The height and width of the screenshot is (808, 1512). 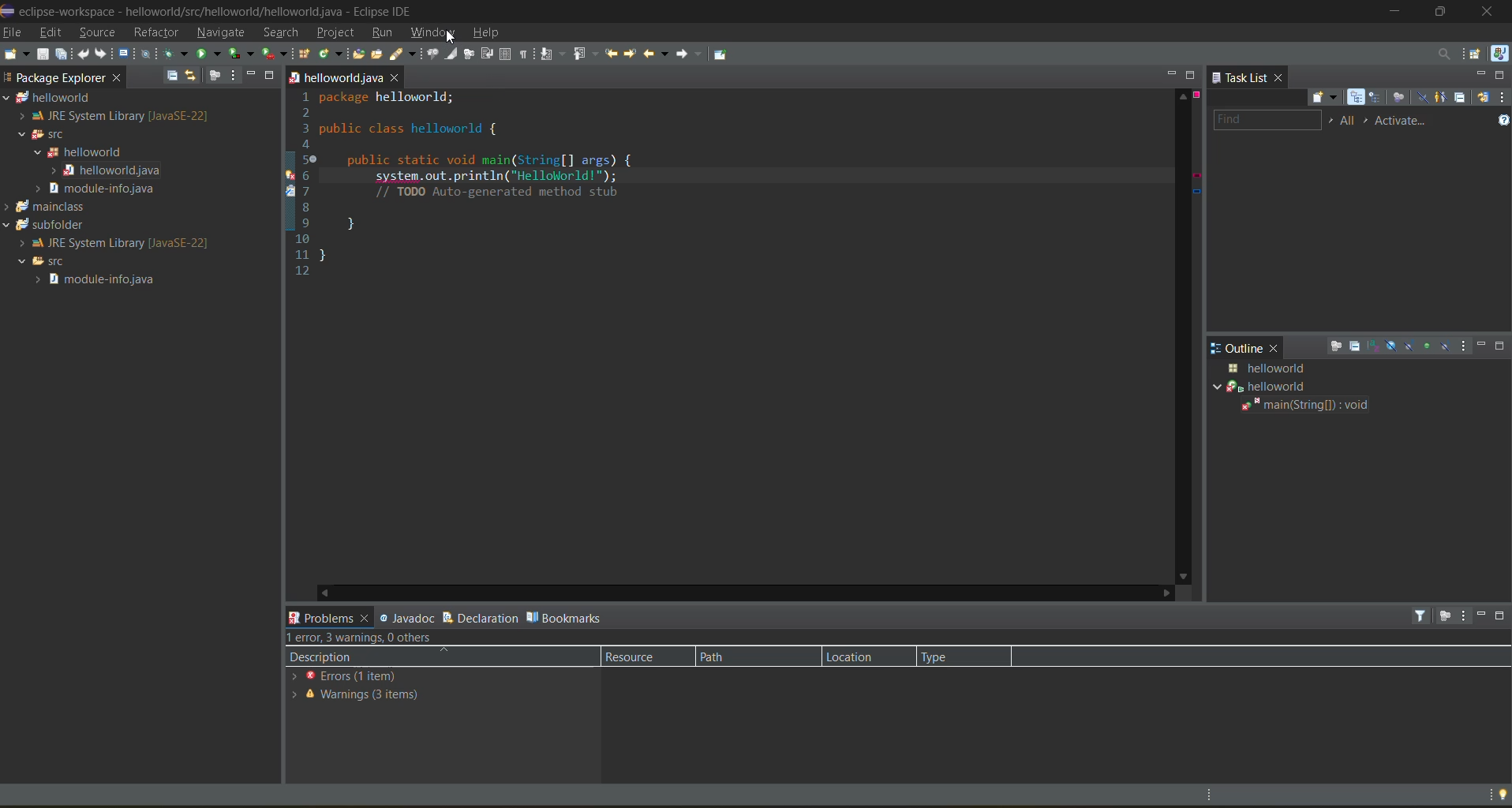 I want to click on JRE System Library [Java SE-22], so click(x=119, y=117).